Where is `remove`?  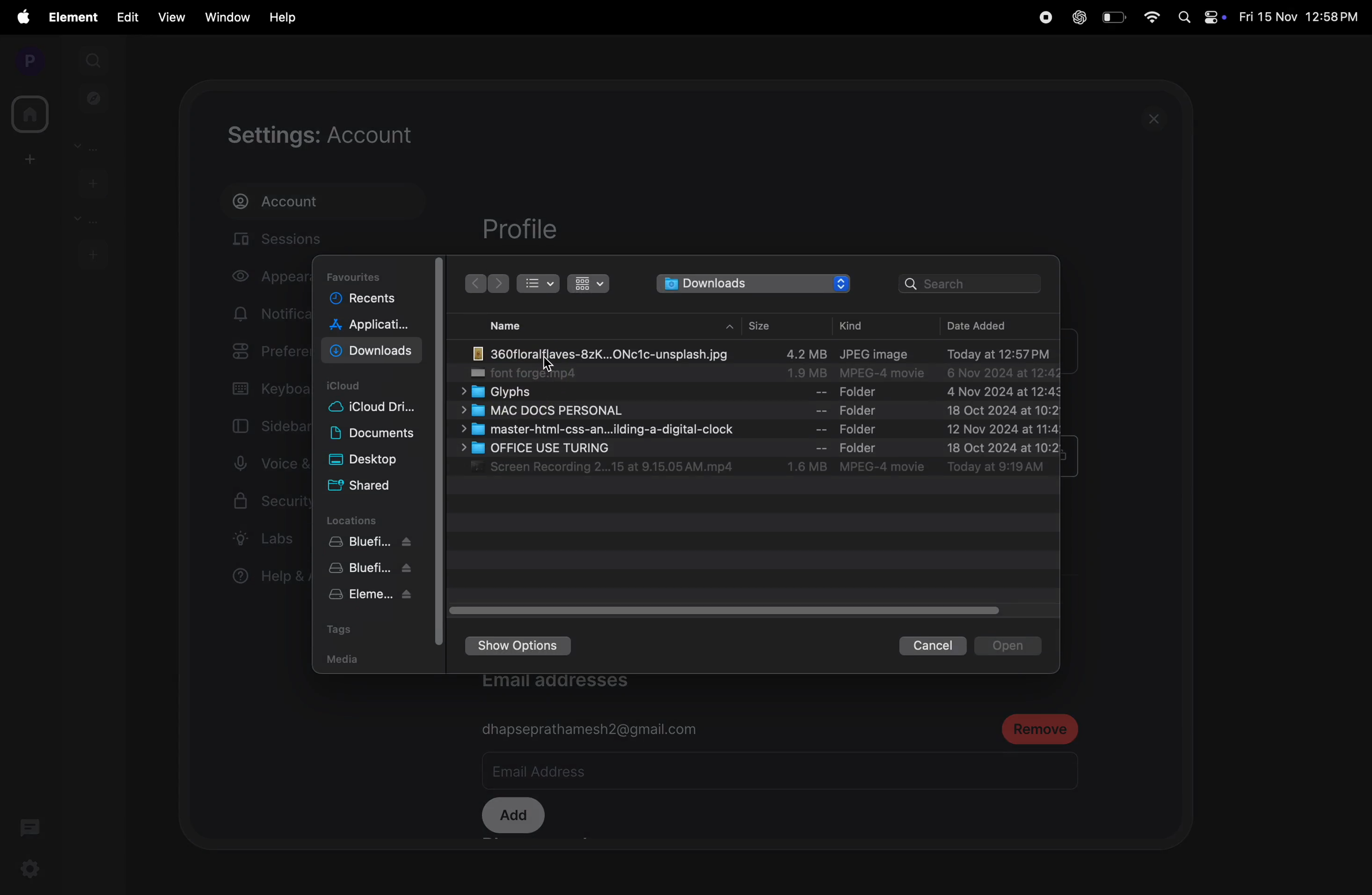
remove is located at coordinates (1040, 728).